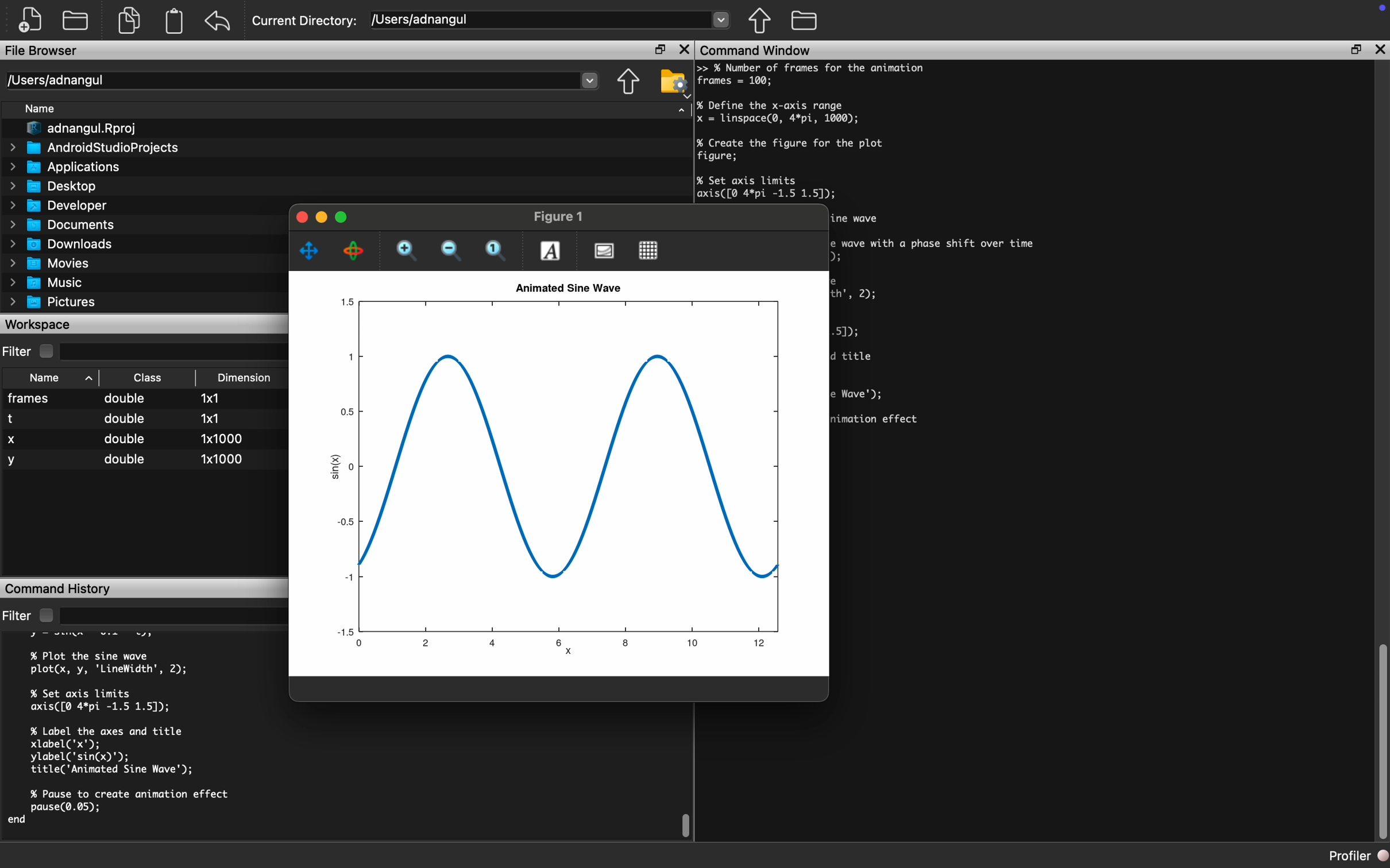 The image size is (1390, 868). Describe the element at coordinates (1377, 51) in the screenshot. I see `Close` at that location.